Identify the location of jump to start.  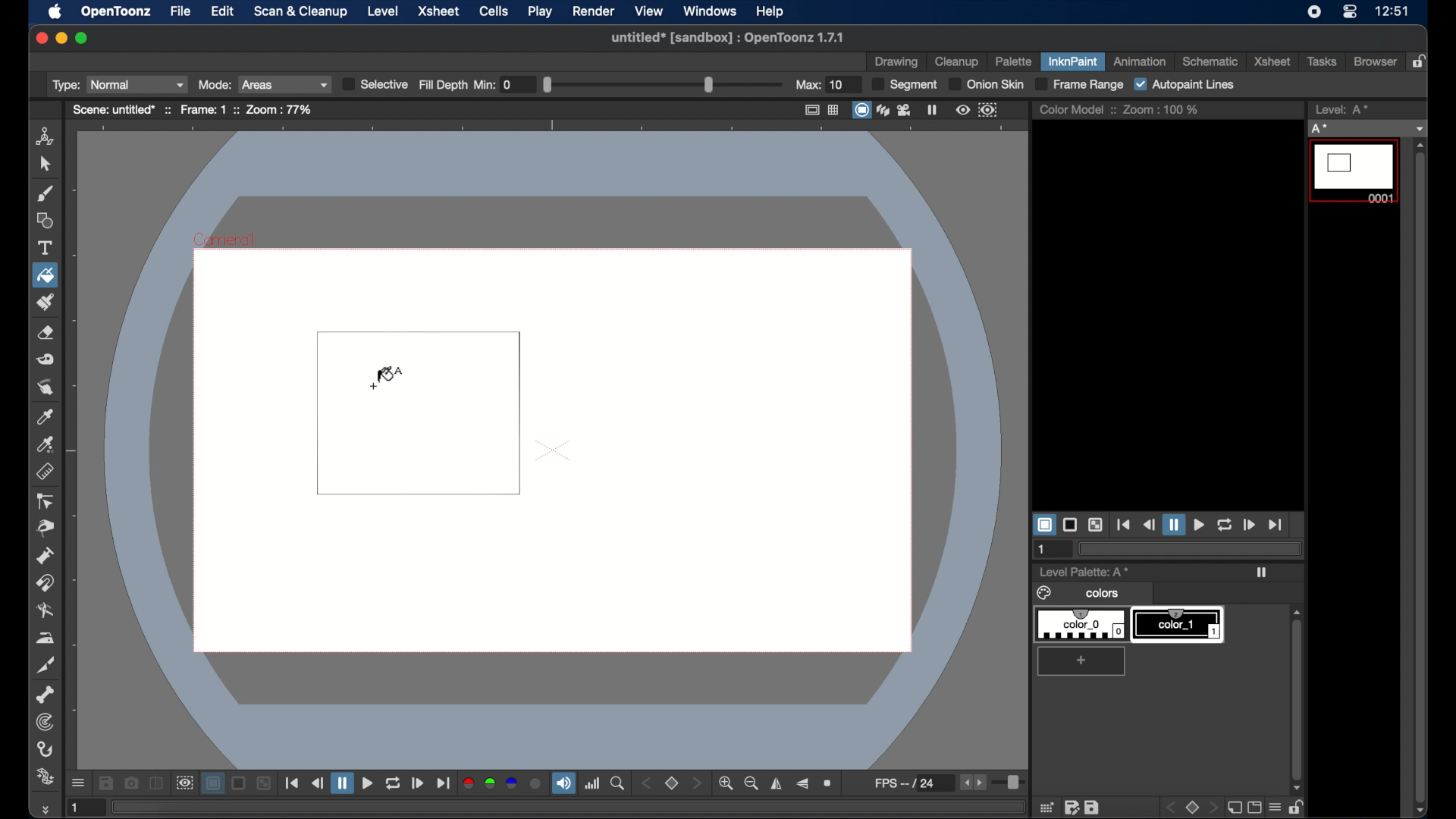
(292, 783).